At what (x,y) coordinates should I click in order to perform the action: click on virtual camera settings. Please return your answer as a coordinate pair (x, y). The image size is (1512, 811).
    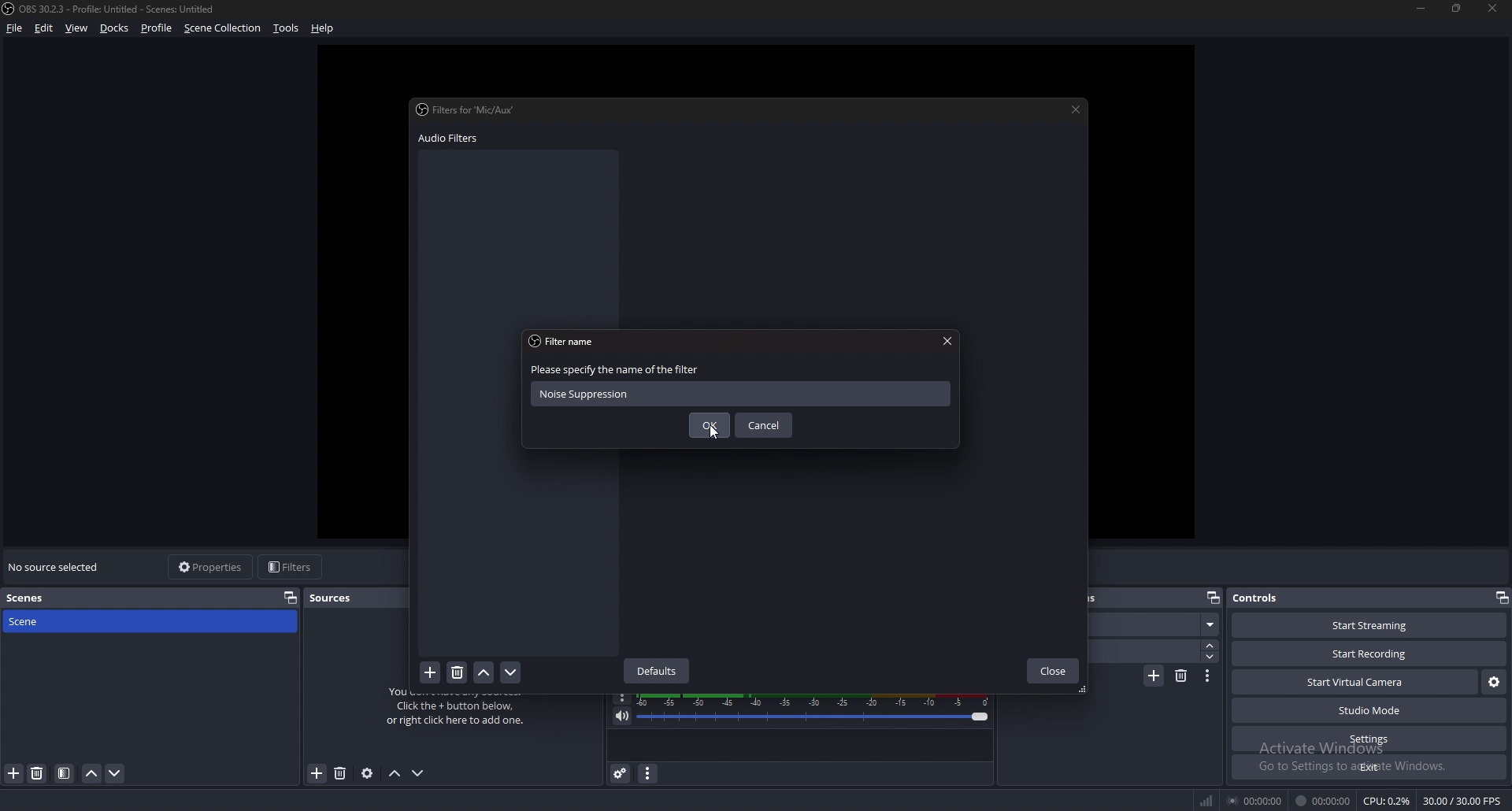
    Looking at the image, I should click on (1493, 682).